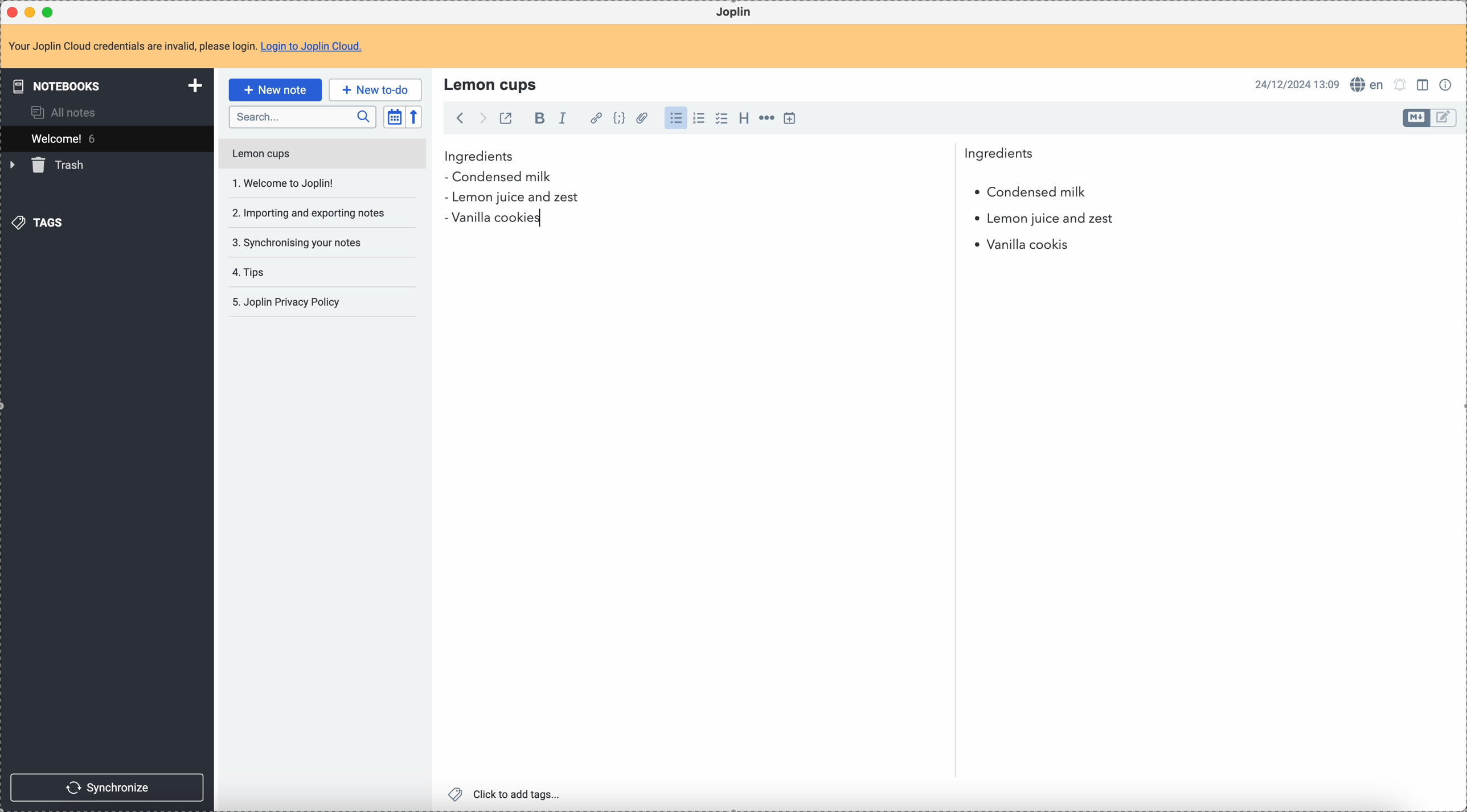 Image resolution: width=1467 pixels, height=812 pixels. Describe the element at coordinates (674, 118) in the screenshot. I see `bulleted list` at that location.